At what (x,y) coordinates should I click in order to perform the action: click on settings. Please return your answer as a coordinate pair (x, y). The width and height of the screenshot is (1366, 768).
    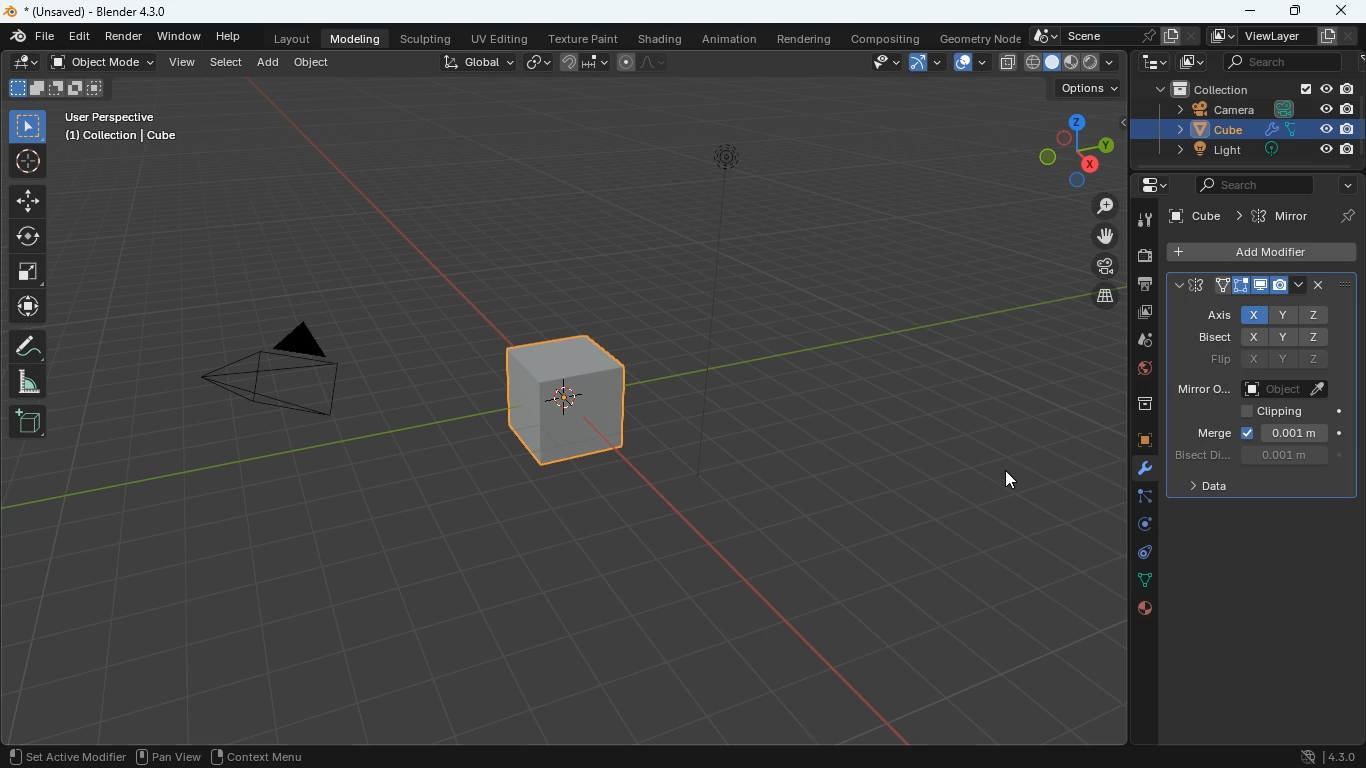
    Looking at the image, I should click on (1147, 186).